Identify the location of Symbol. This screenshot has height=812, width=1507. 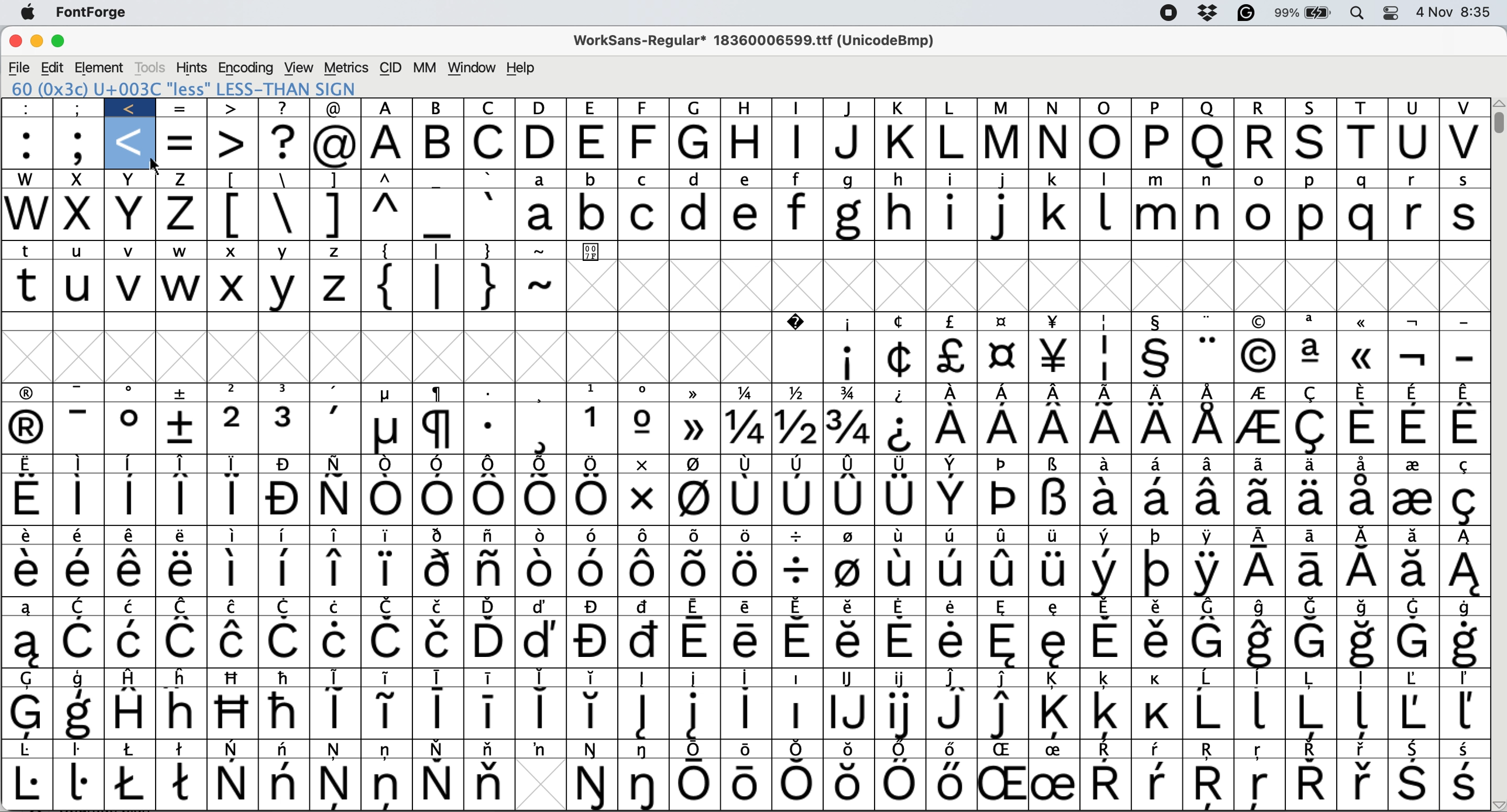
(1260, 749).